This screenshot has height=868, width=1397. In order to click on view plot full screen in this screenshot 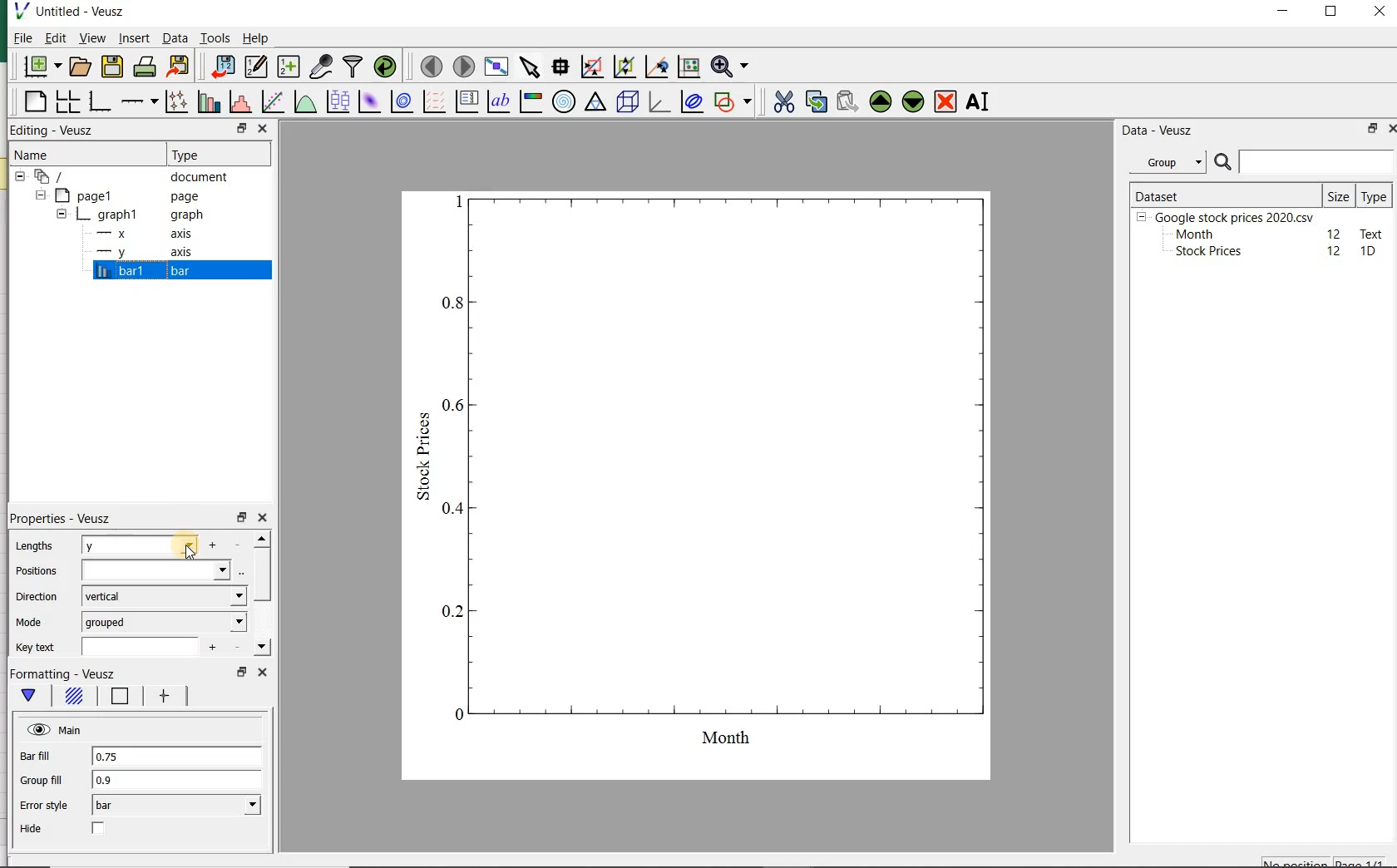, I will do `click(496, 67)`.